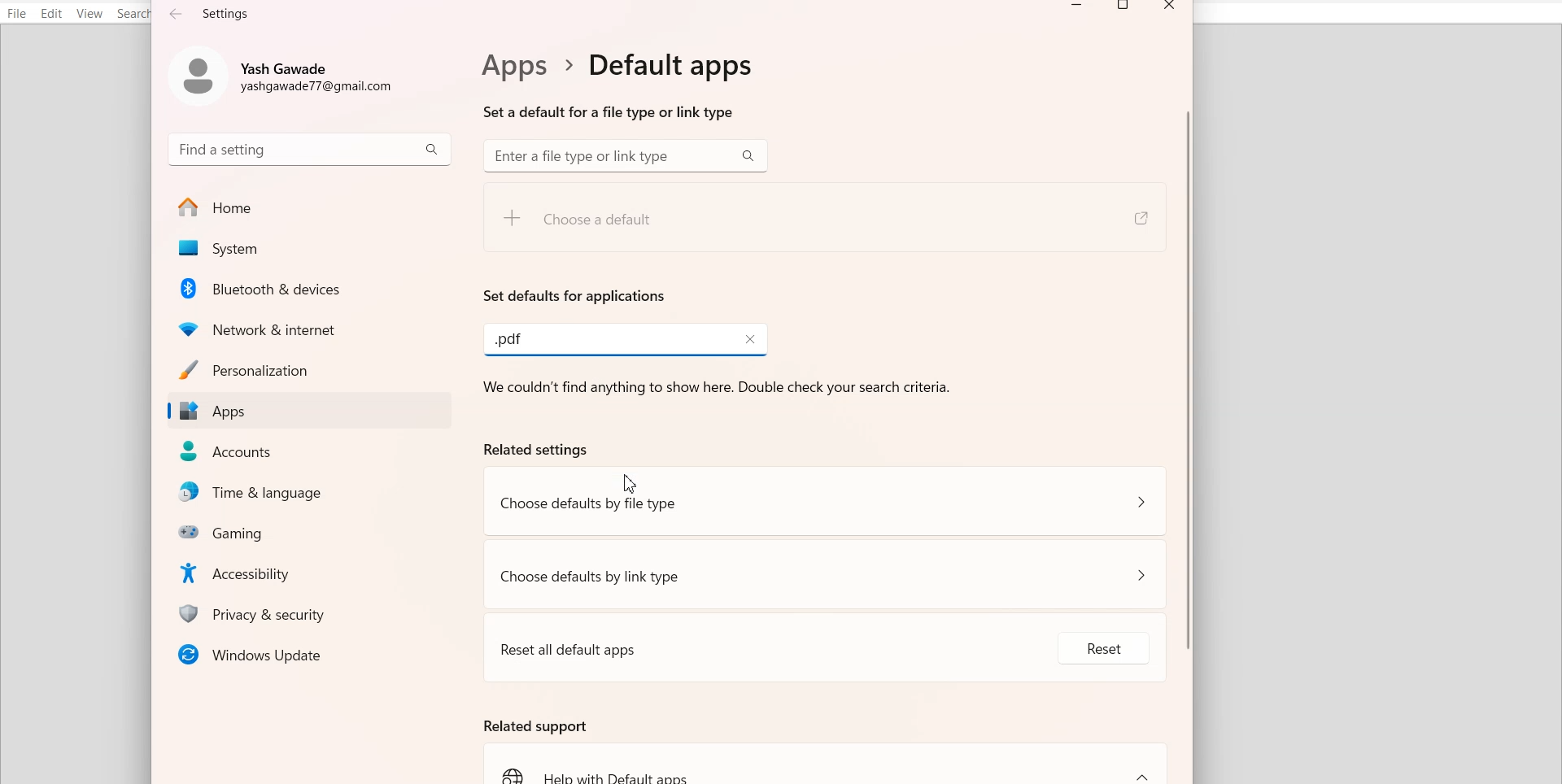 This screenshot has width=1562, height=784. Describe the element at coordinates (722, 416) in the screenshot. I see `Text` at that location.